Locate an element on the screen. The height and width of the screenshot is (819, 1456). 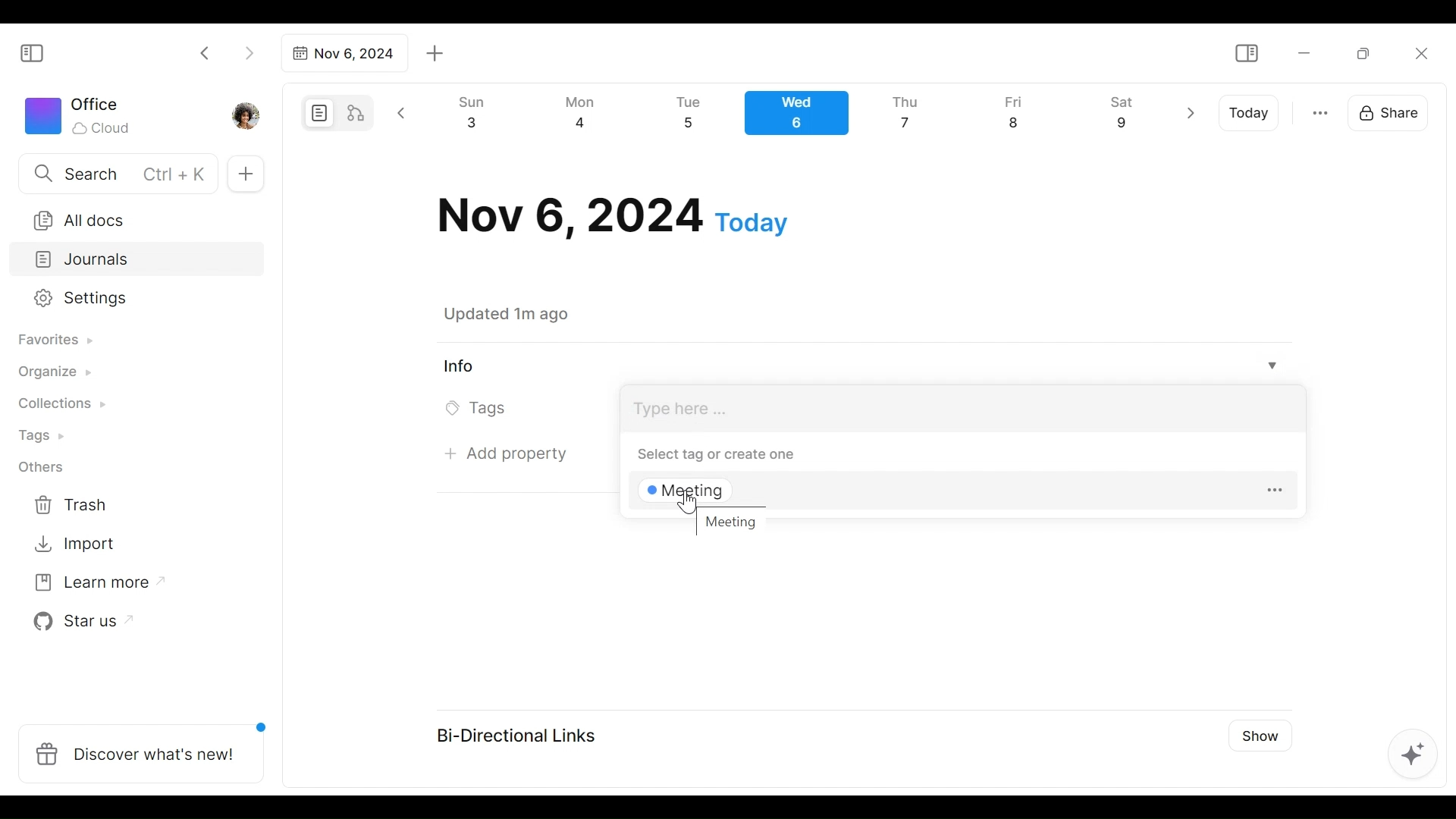
Tag is located at coordinates (690, 493).